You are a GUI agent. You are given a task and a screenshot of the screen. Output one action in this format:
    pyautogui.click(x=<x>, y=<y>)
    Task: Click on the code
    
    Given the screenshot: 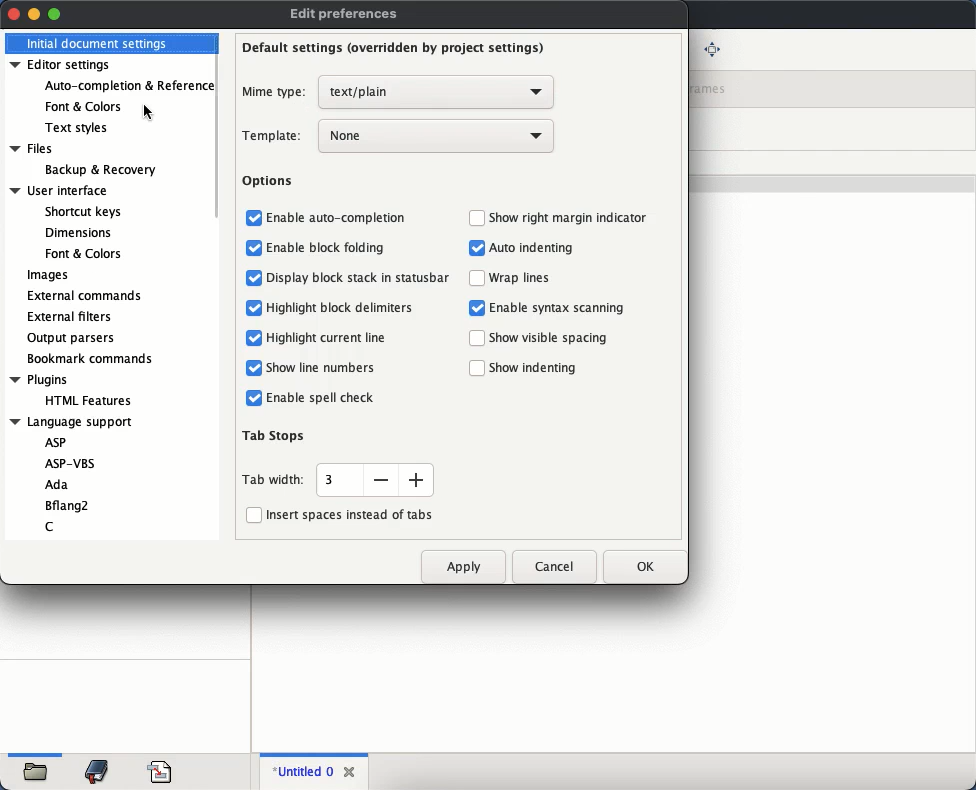 What is the action you would take?
    pyautogui.click(x=160, y=770)
    